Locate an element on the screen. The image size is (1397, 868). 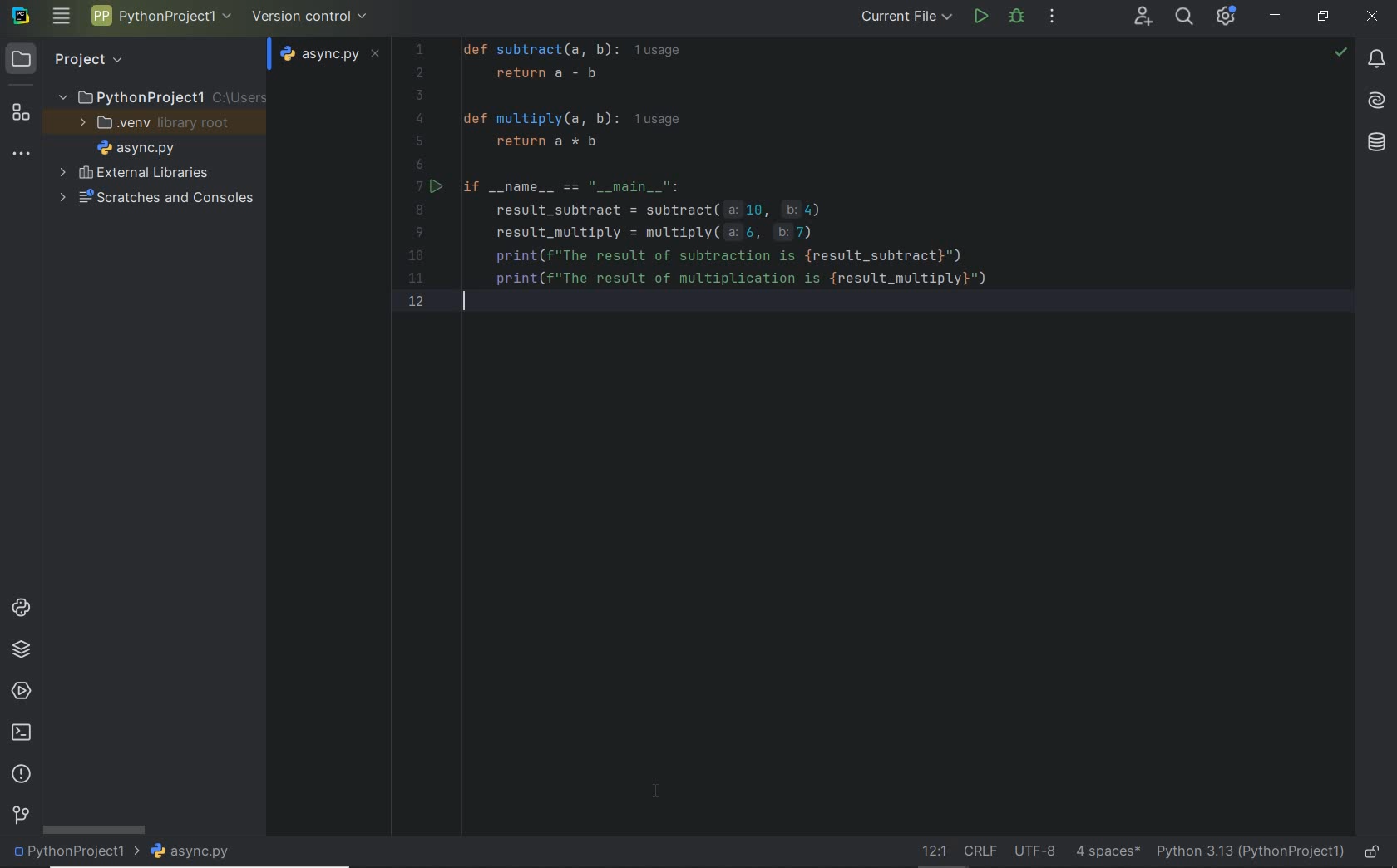
database is located at coordinates (1374, 145).